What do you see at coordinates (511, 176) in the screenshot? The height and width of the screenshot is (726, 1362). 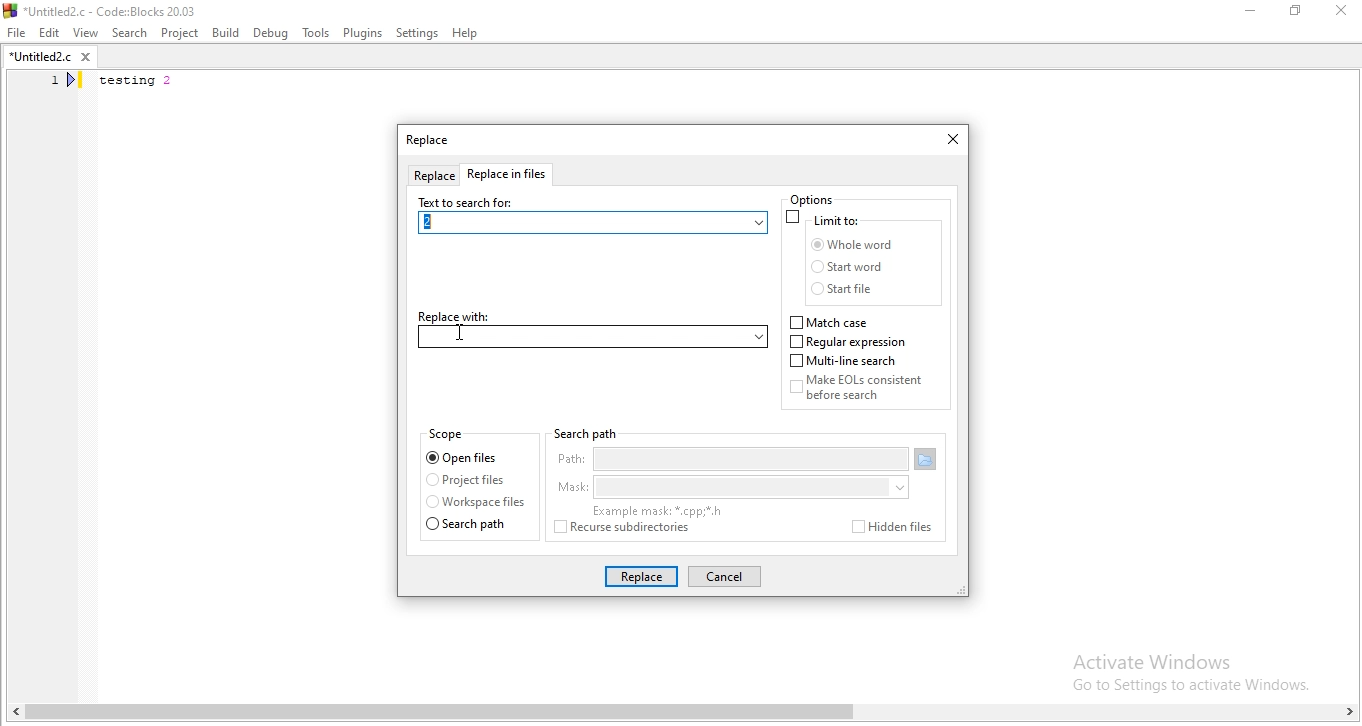 I see `replace files` at bounding box center [511, 176].